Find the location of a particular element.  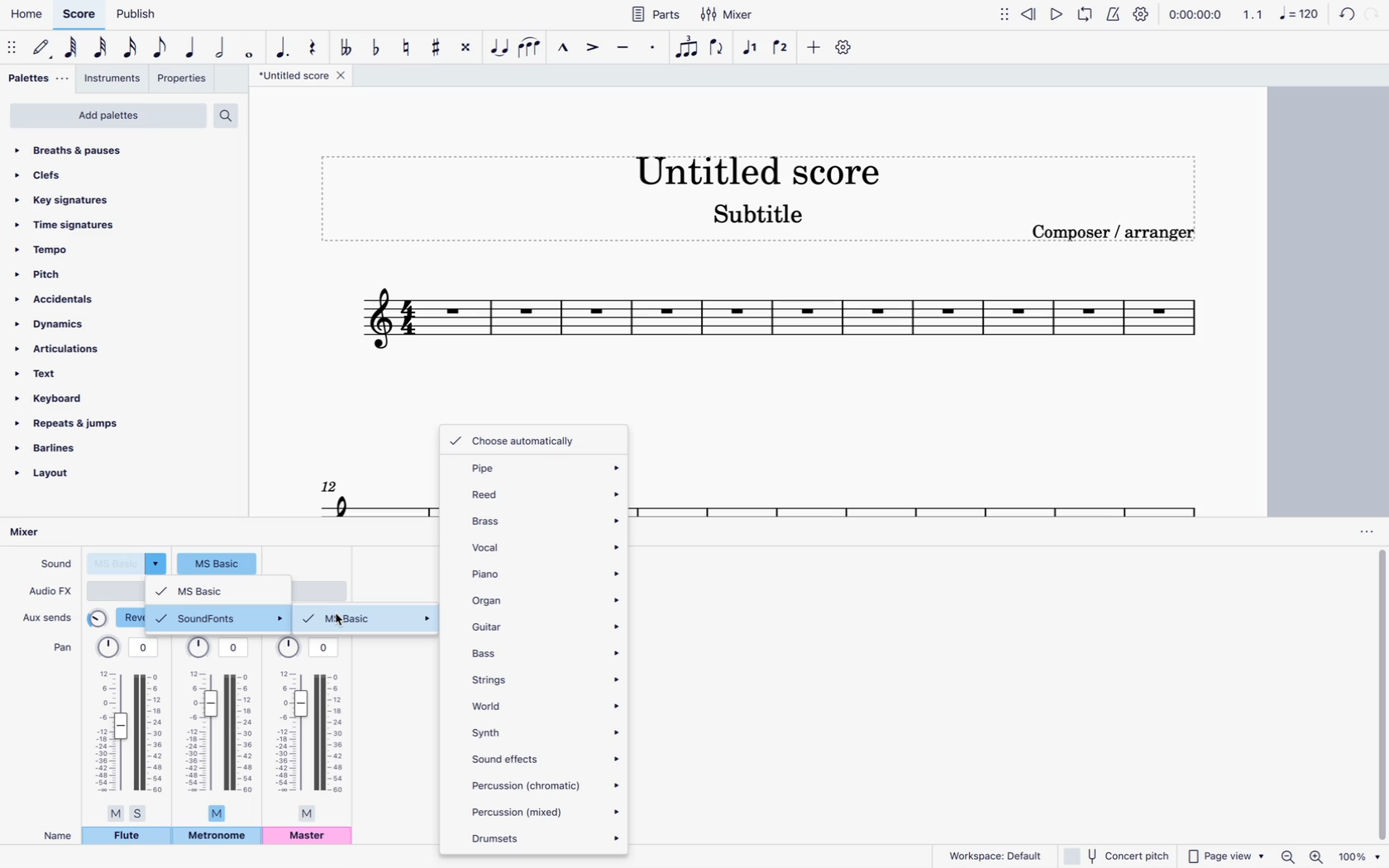

settings is located at coordinates (1142, 14).